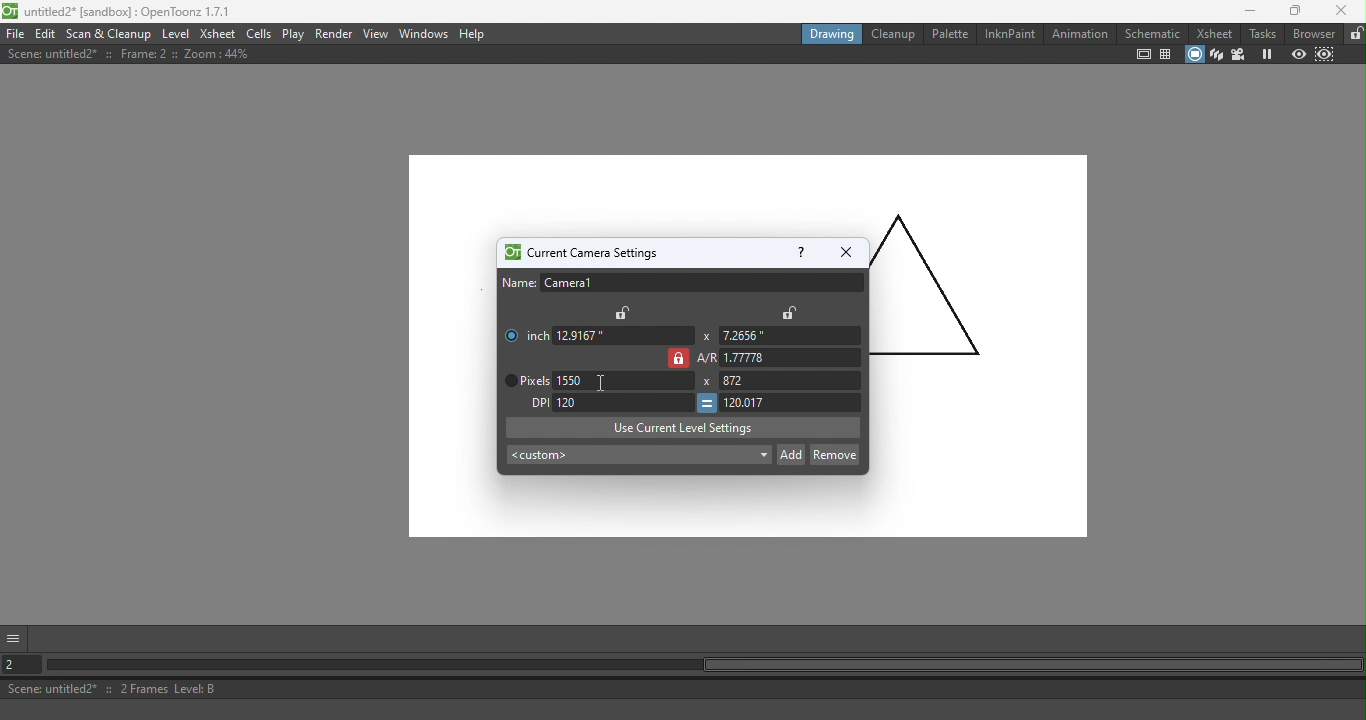  Describe the element at coordinates (1238, 55) in the screenshot. I see `Camera view` at that location.